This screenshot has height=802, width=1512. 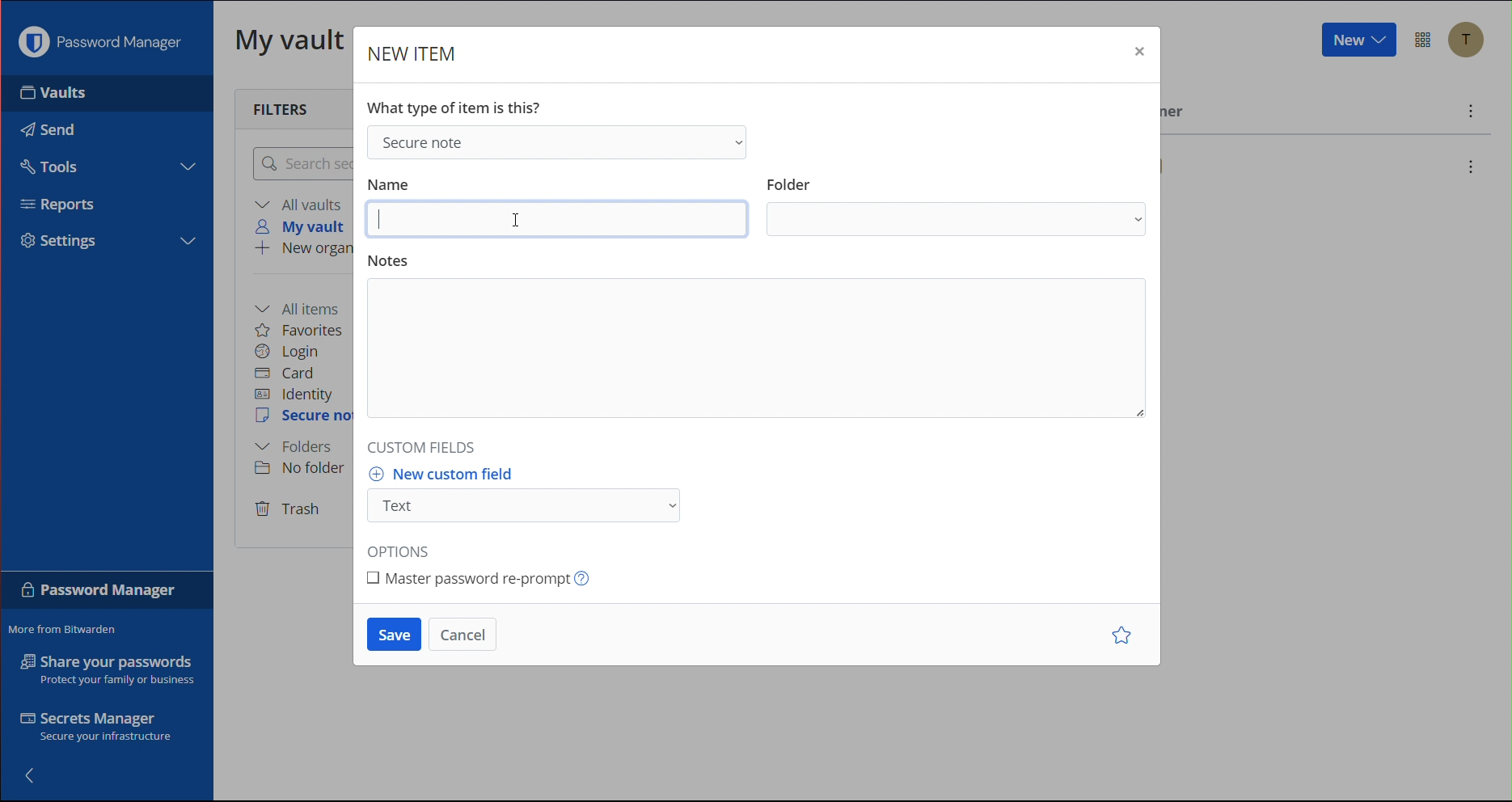 I want to click on Secrets Manager, so click(x=99, y=729).